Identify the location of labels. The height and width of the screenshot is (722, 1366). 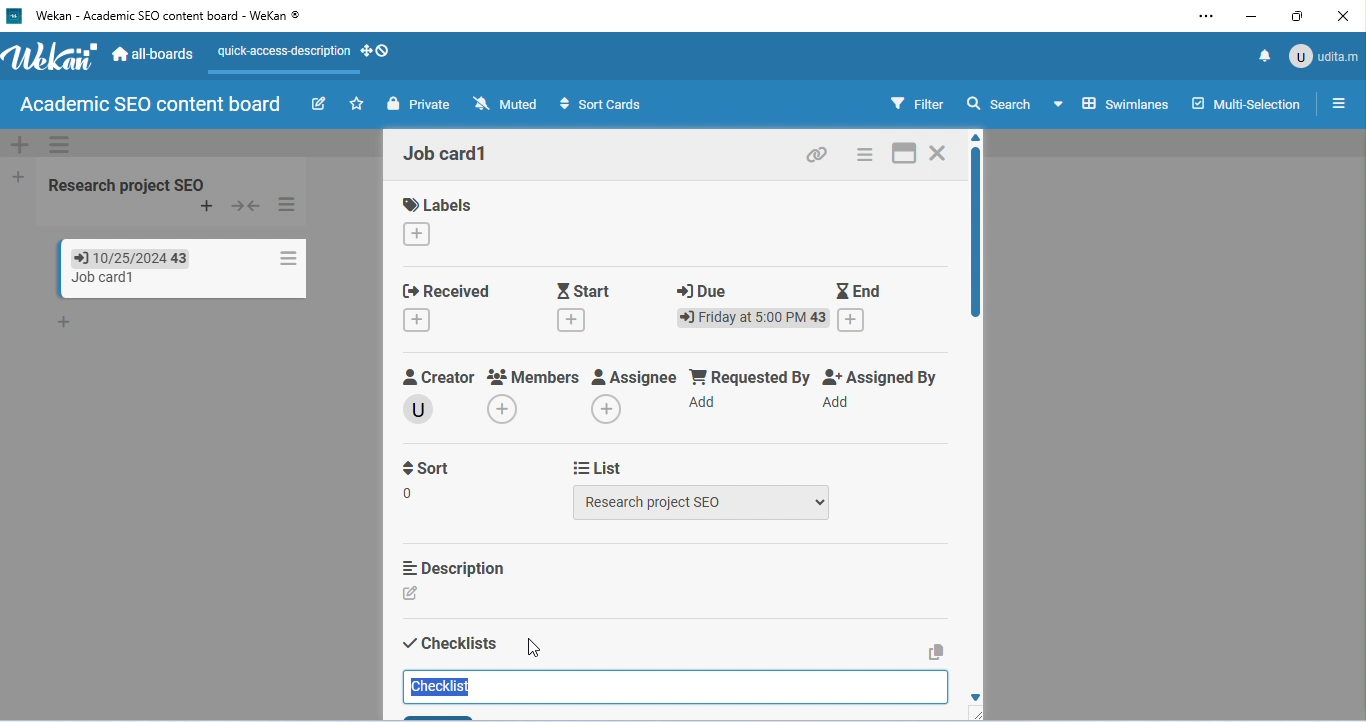
(438, 205).